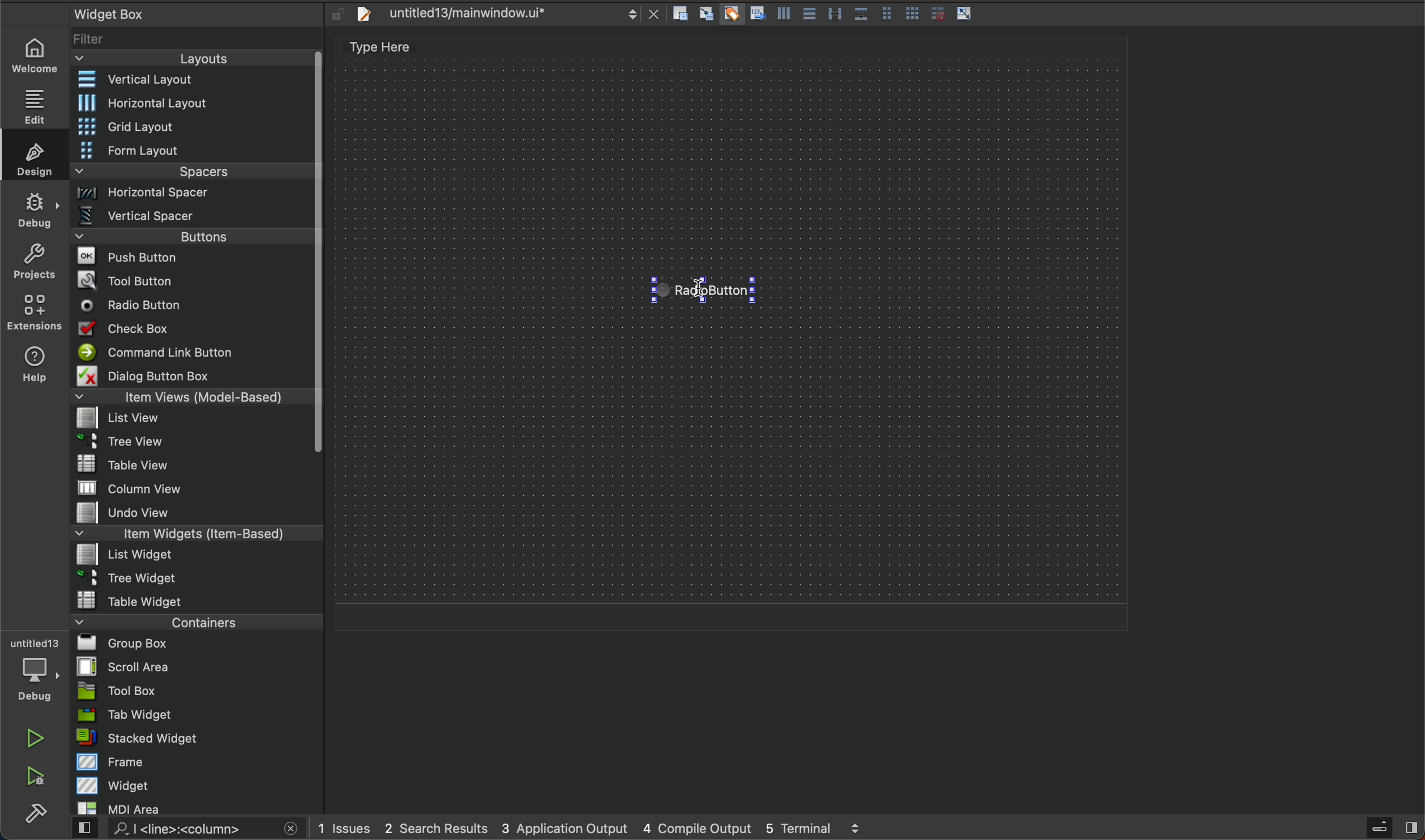 The image size is (1425, 840). What do you see at coordinates (965, 14) in the screenshot?
I see `` at bounding box center [965, 14].